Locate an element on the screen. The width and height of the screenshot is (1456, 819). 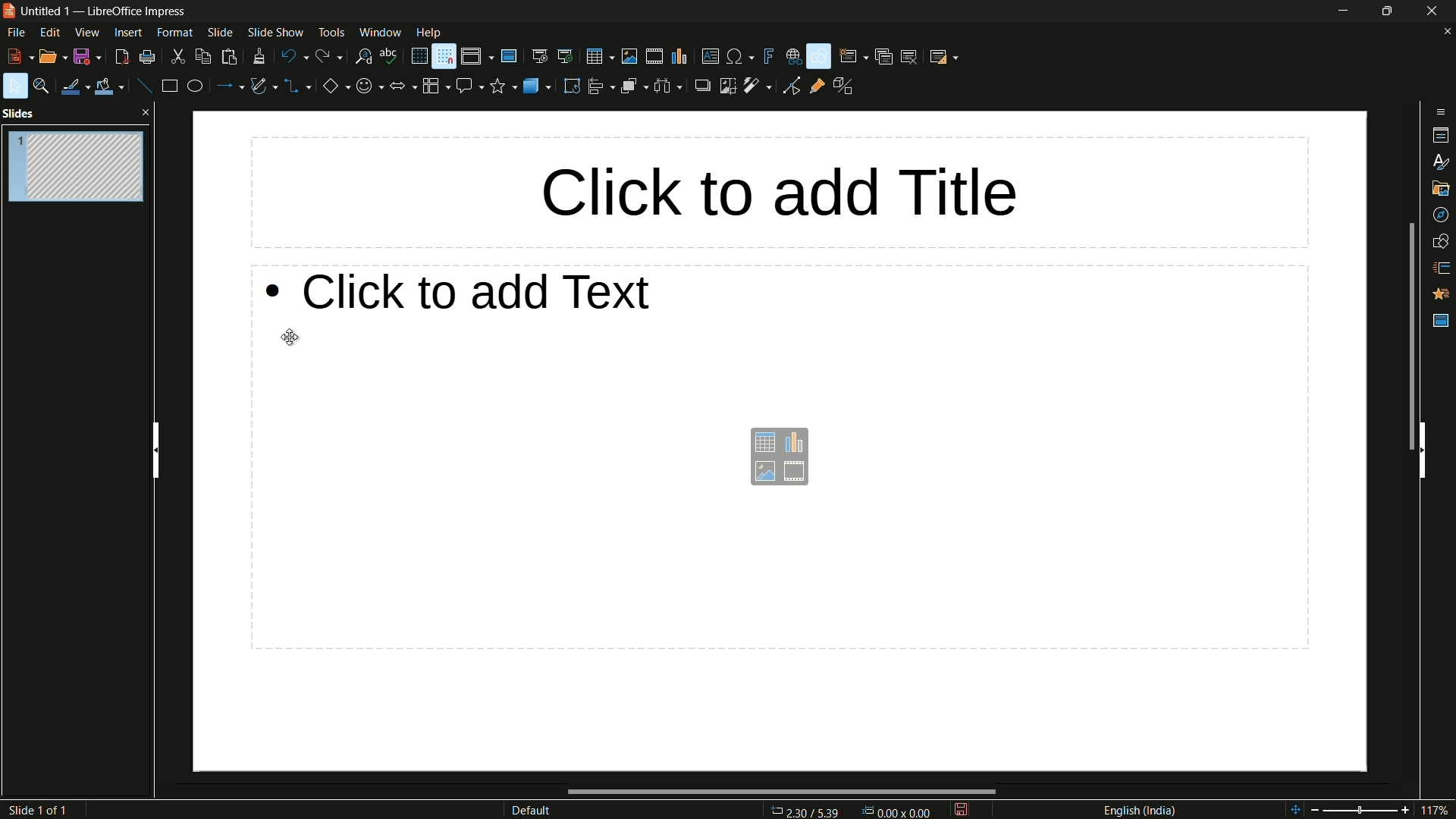
close app is located at coordinates (1435, 10).